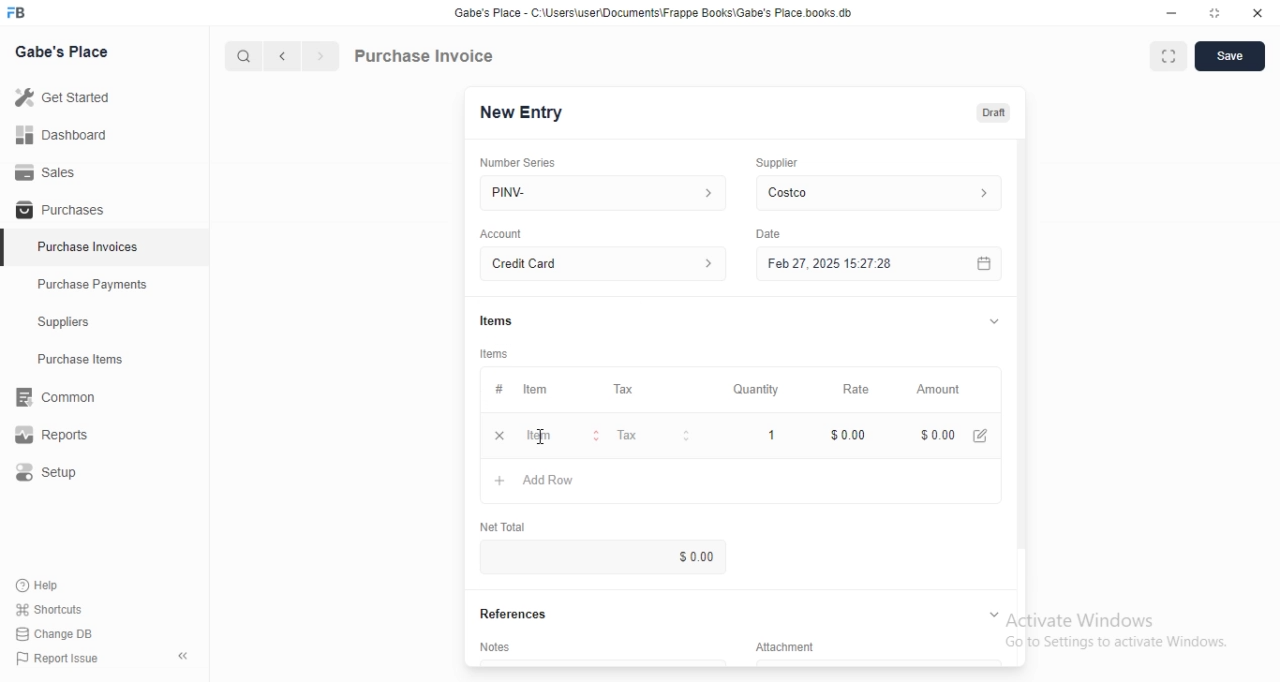 The height and width of the screenshot is (682, 1280). What do you see at coordinates (994, 321) in the screenshot?
I see `Collapse` at bounding box center [994, 321].